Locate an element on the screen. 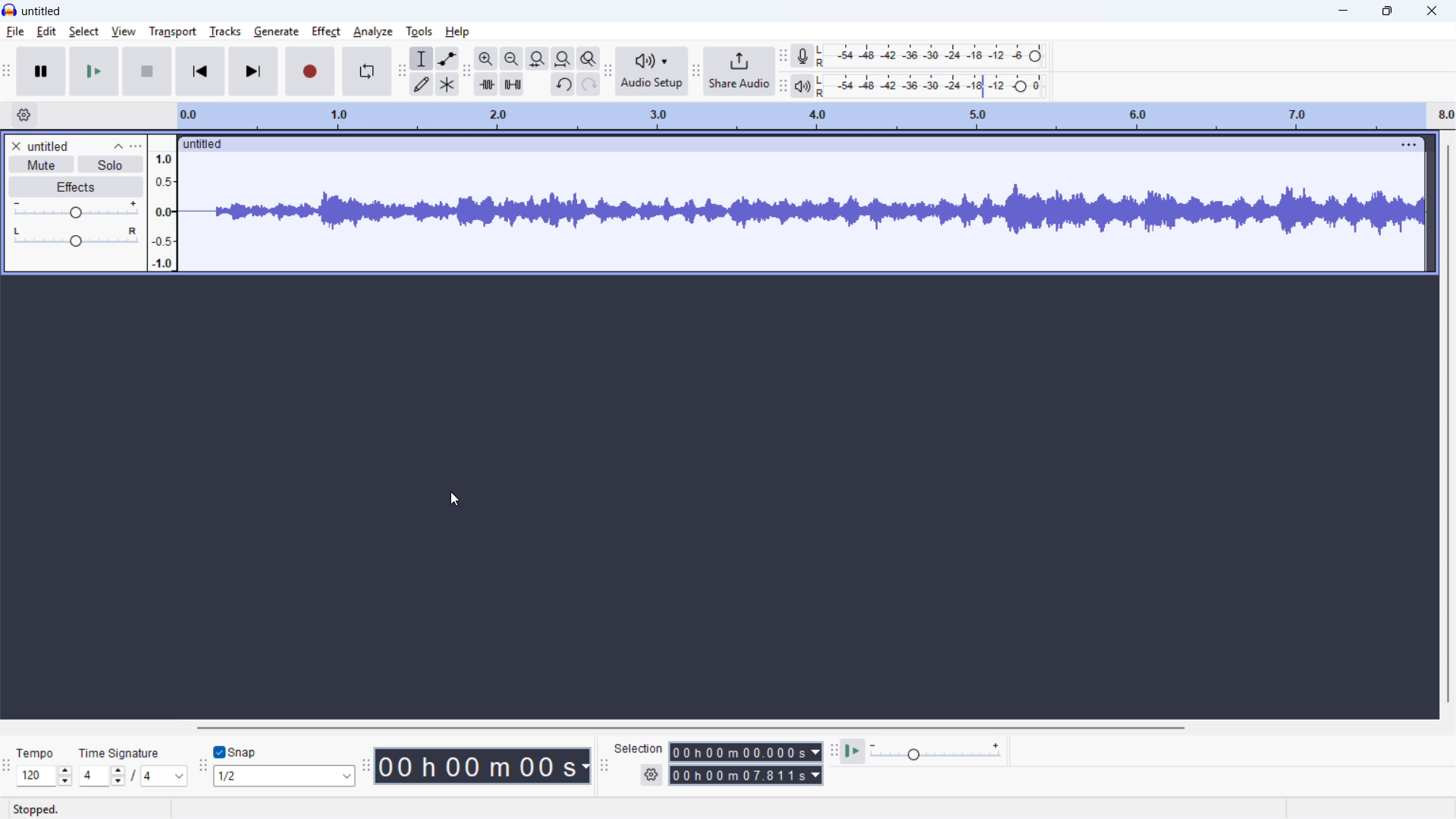  share audio is located at coordinates (739, 72).